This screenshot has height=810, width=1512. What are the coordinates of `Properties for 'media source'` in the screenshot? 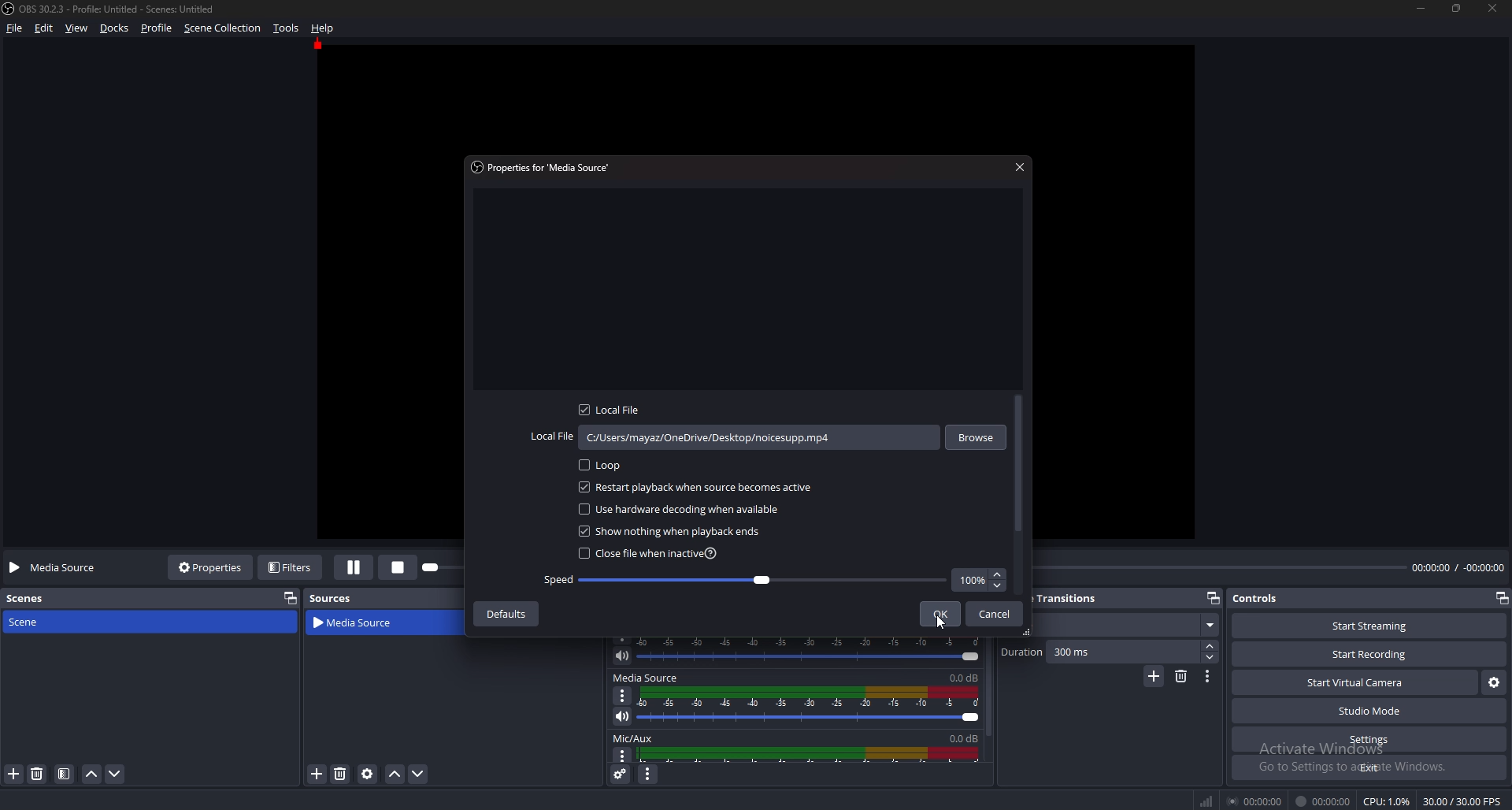 It's located at (544, 166).